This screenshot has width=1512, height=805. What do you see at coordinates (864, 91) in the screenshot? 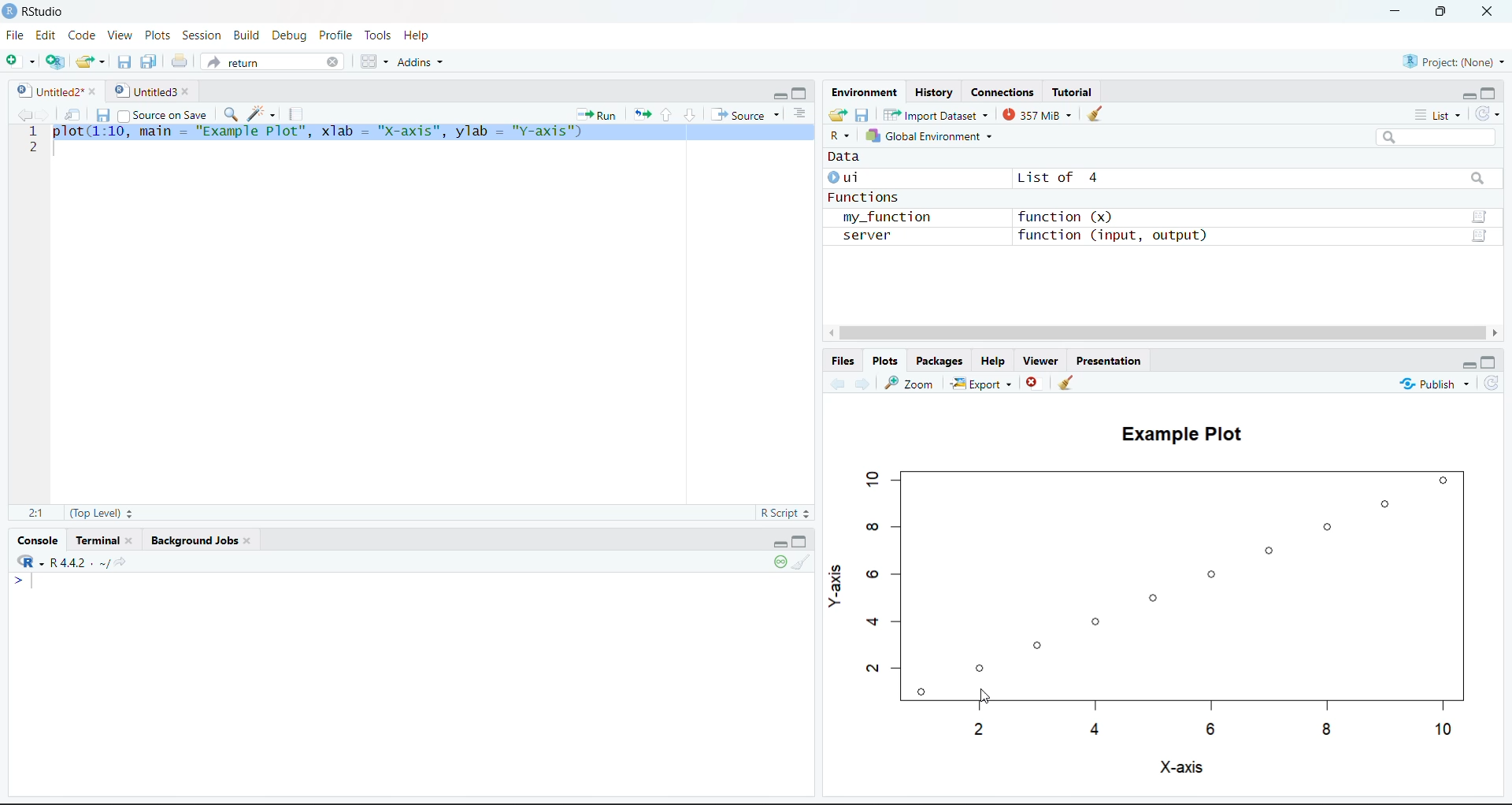
I see `Environment` at bounding box center [864, 91].